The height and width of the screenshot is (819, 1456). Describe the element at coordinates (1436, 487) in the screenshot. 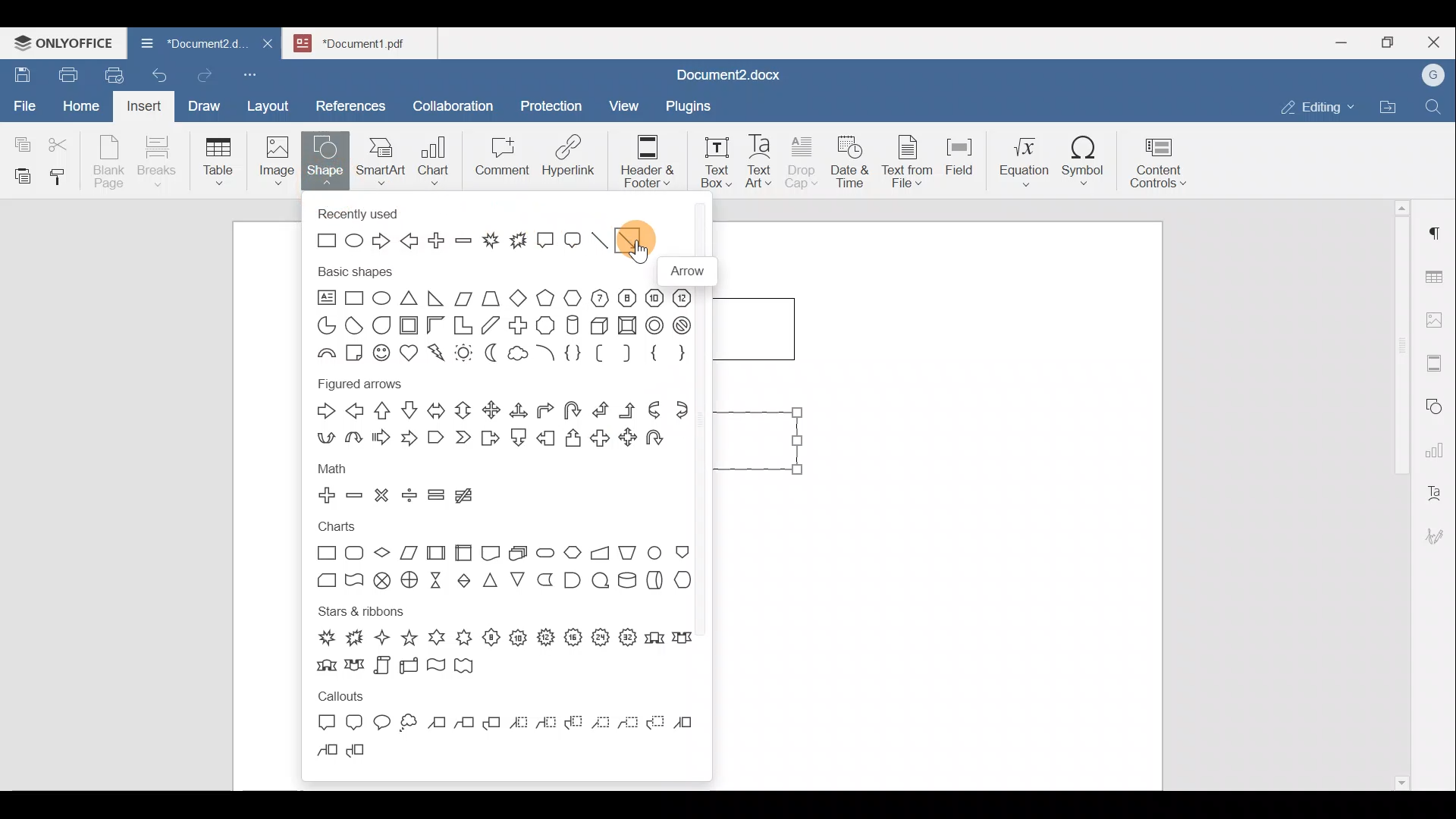

I see `Text Art settings` at that location.